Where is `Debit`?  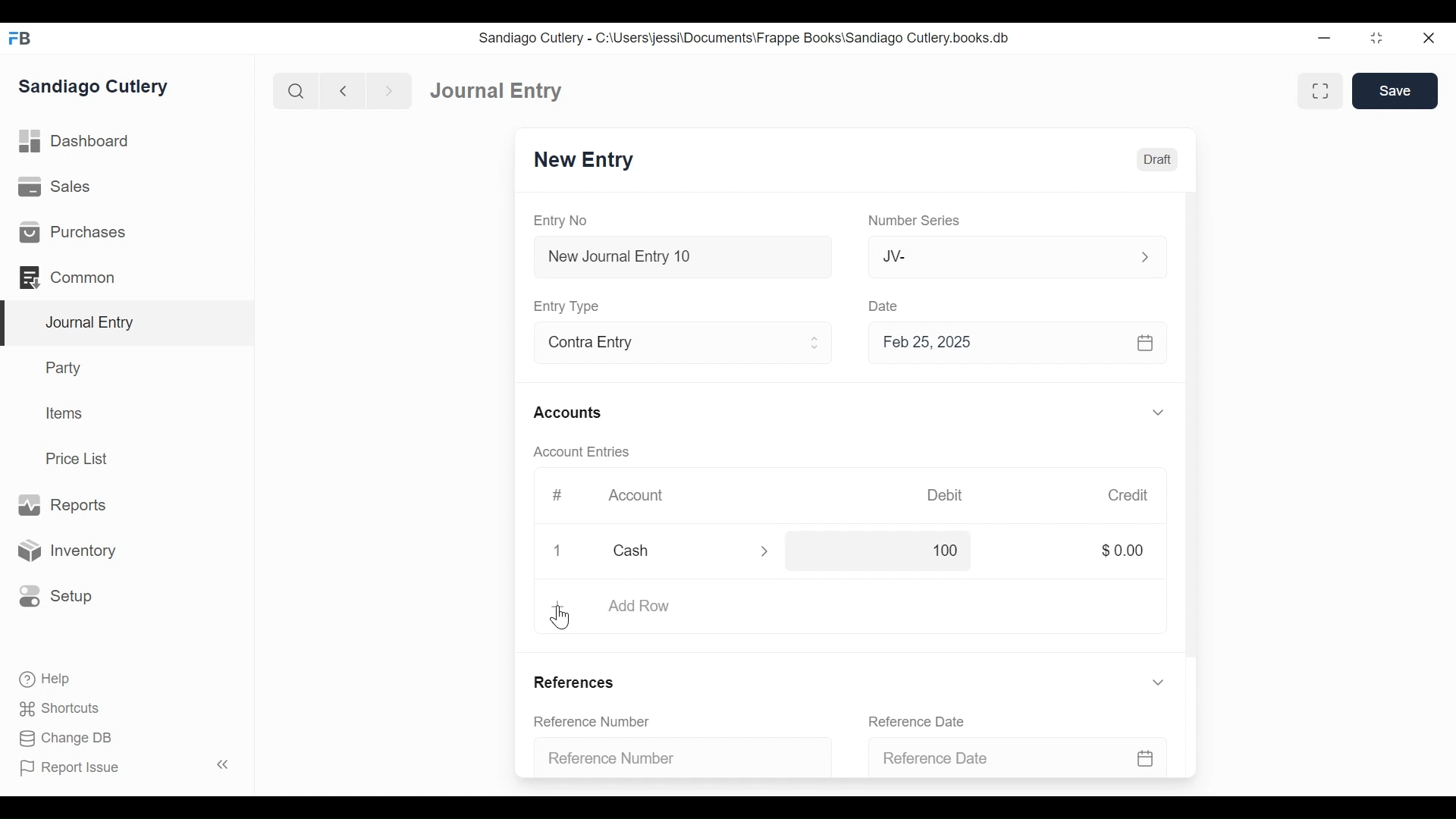
Debit is located at coordinates (951, 495).